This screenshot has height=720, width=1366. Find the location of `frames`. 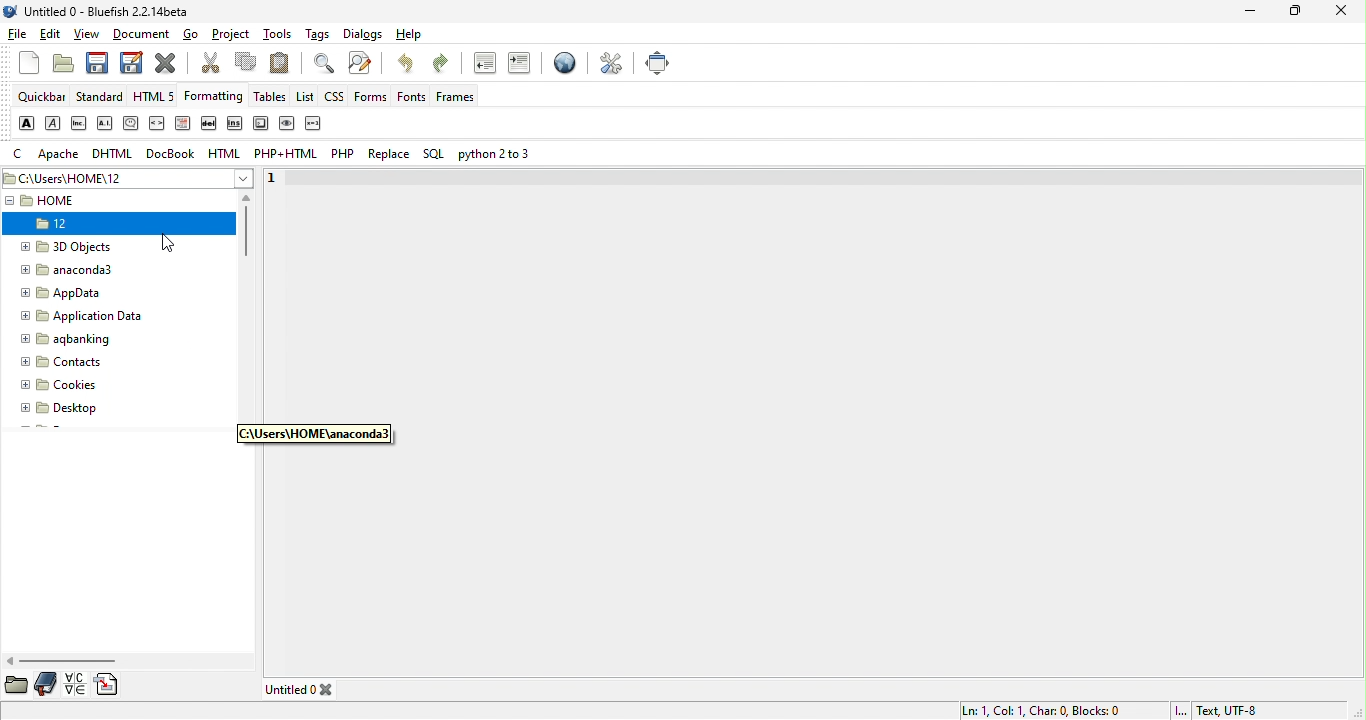

frames is located at coordinates (462, 96).